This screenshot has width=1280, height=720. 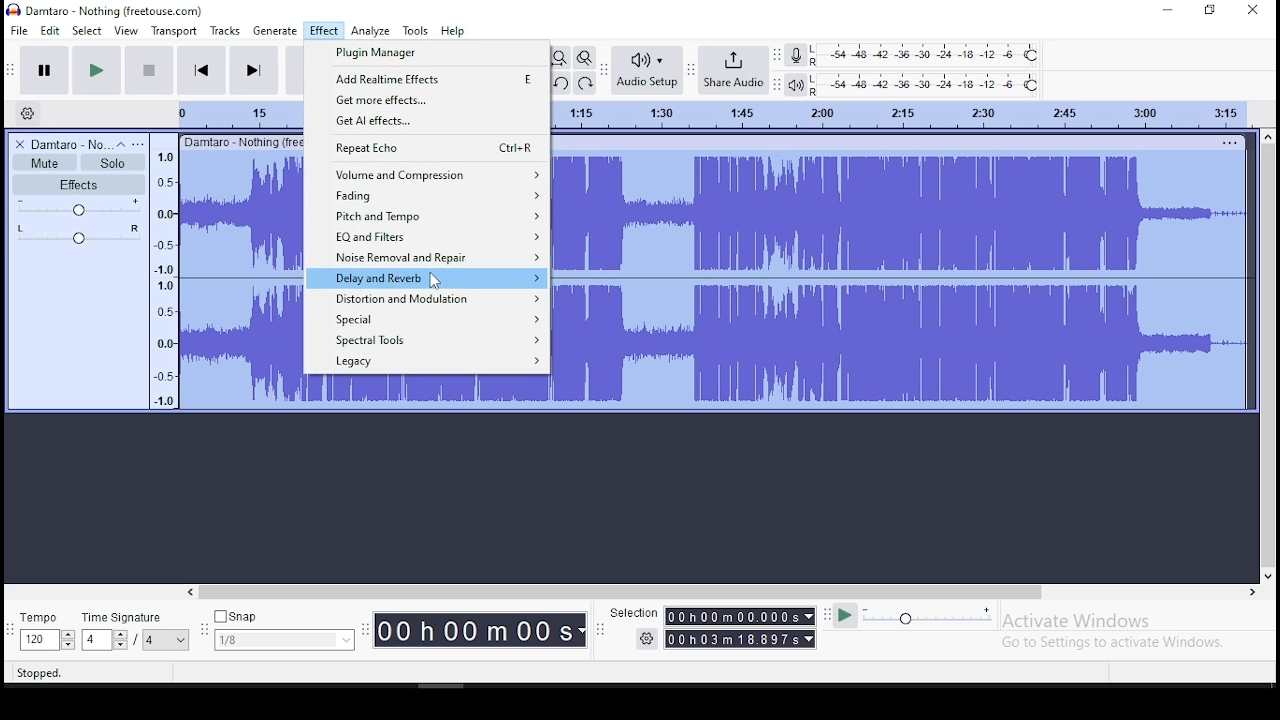 I want to click on minimize, so click(x=1168, y=10).